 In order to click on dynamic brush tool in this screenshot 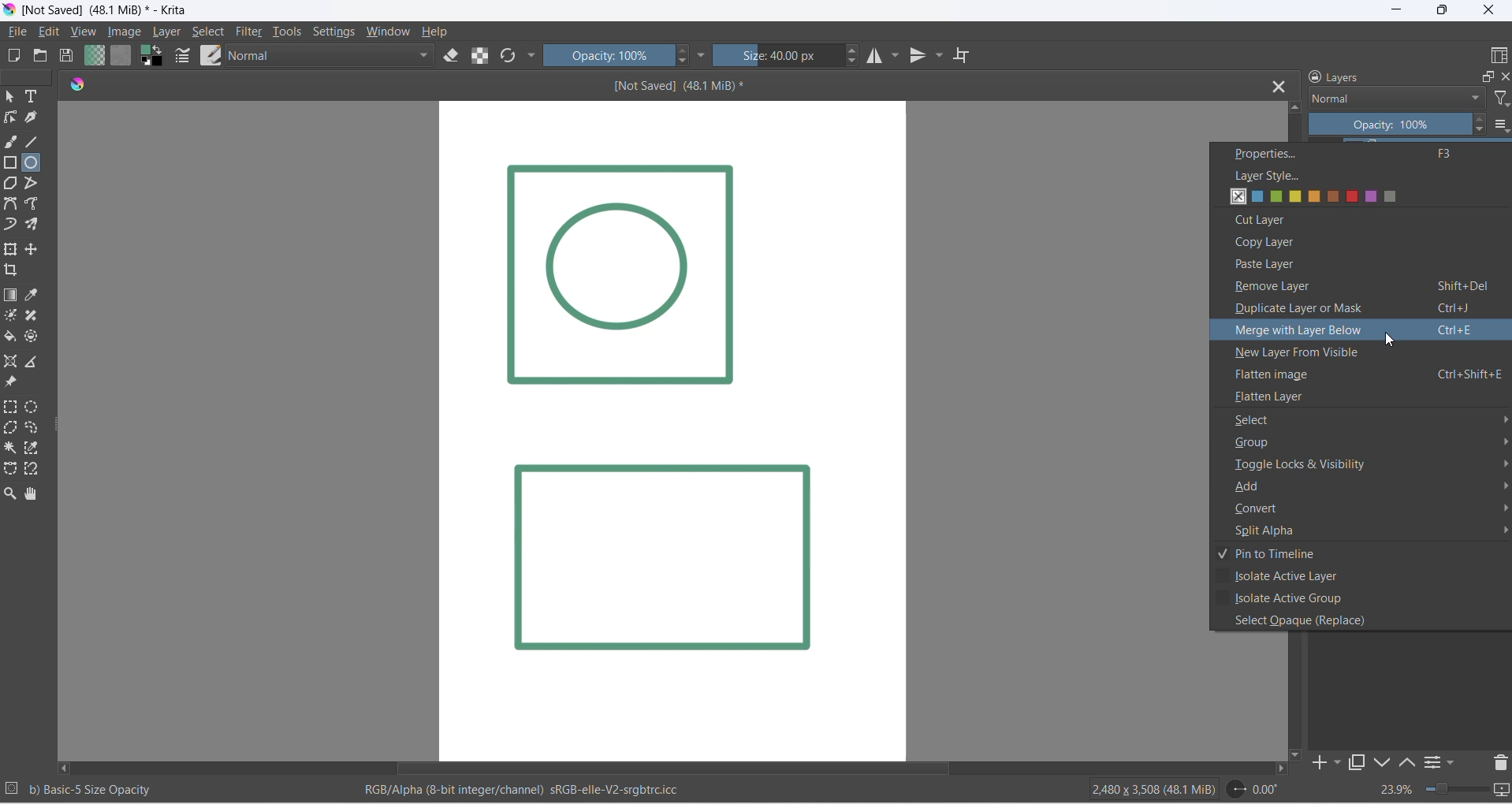, I will do `click(13, 226)`.